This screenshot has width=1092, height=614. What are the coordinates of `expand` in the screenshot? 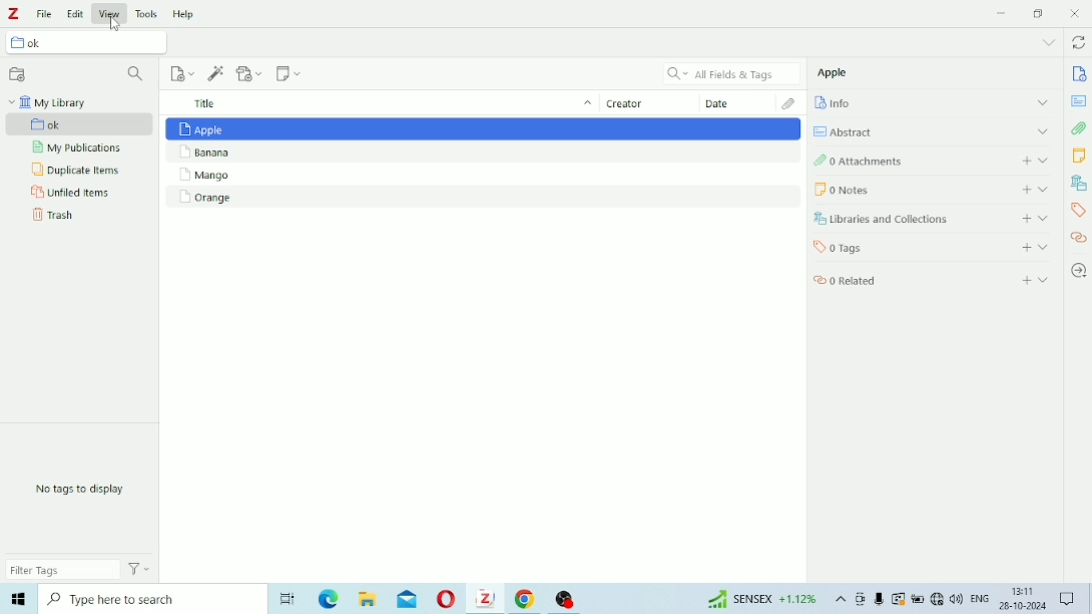 It's located at (1045, 217).